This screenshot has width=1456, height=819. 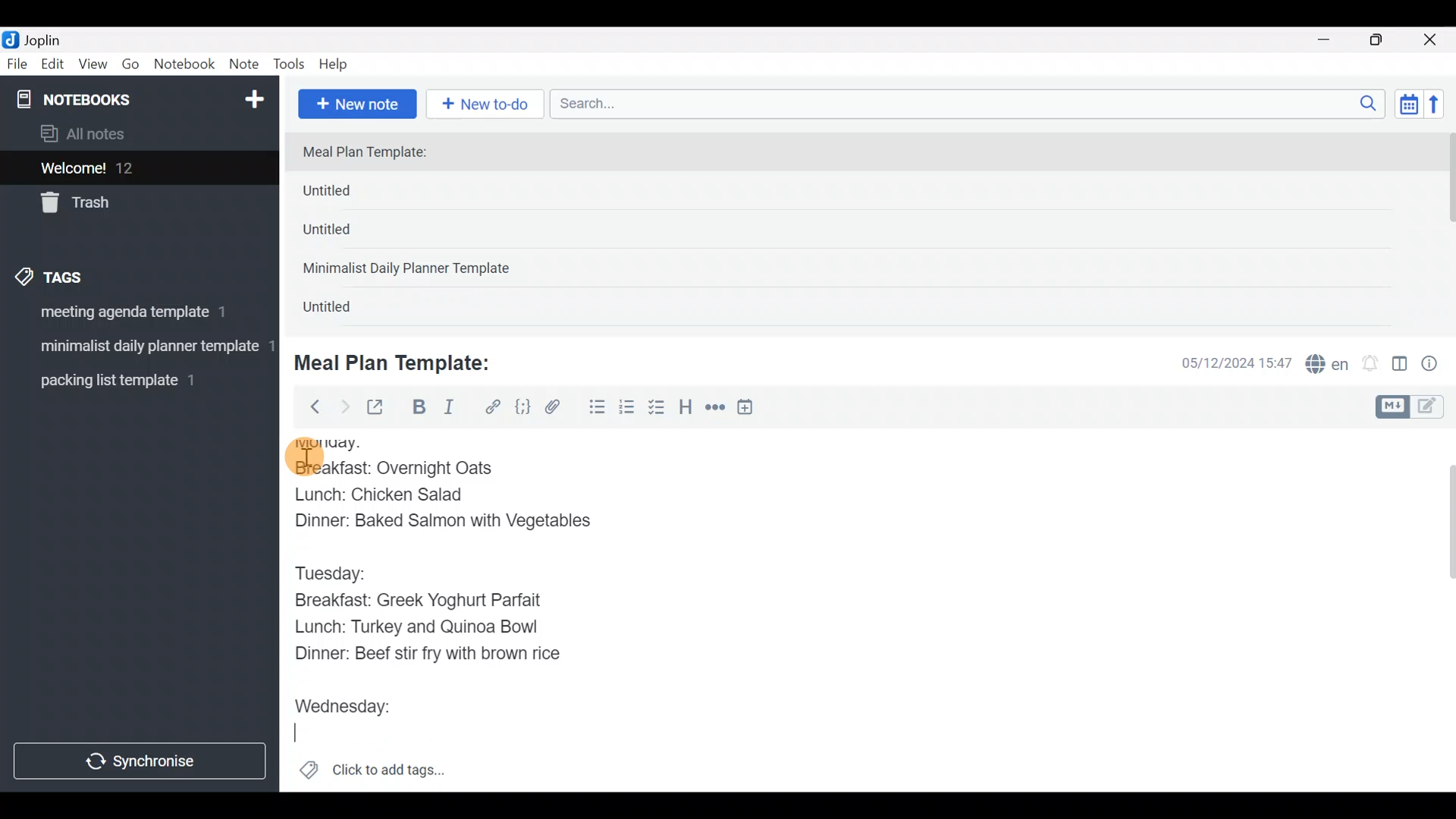 What do you see at coordinates (658, 409) in the screenshot?
I see `Checkbox` at bounding box center [658, 409].